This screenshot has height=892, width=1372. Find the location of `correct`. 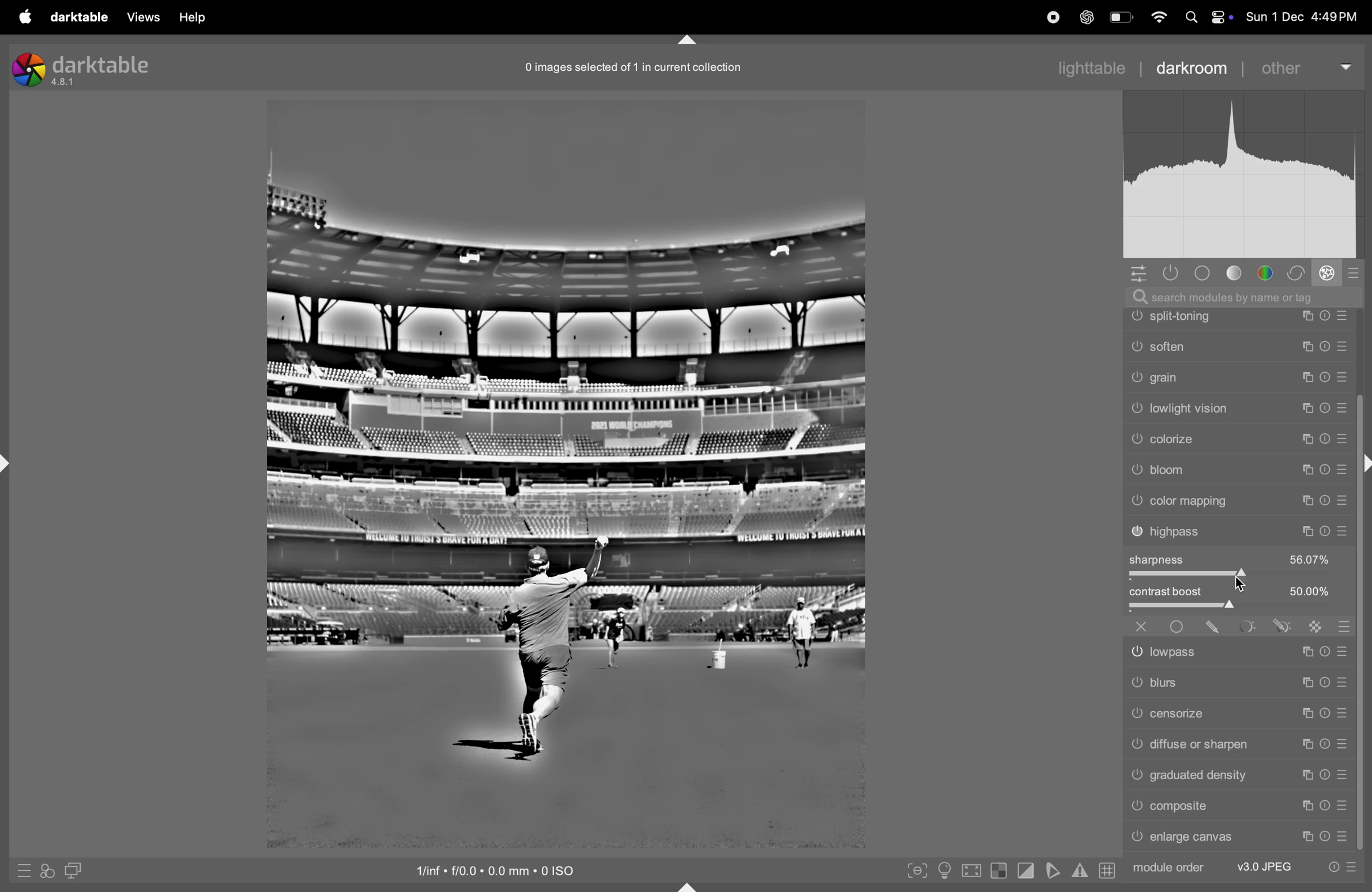

correct is located at coordinates (1297, 272).